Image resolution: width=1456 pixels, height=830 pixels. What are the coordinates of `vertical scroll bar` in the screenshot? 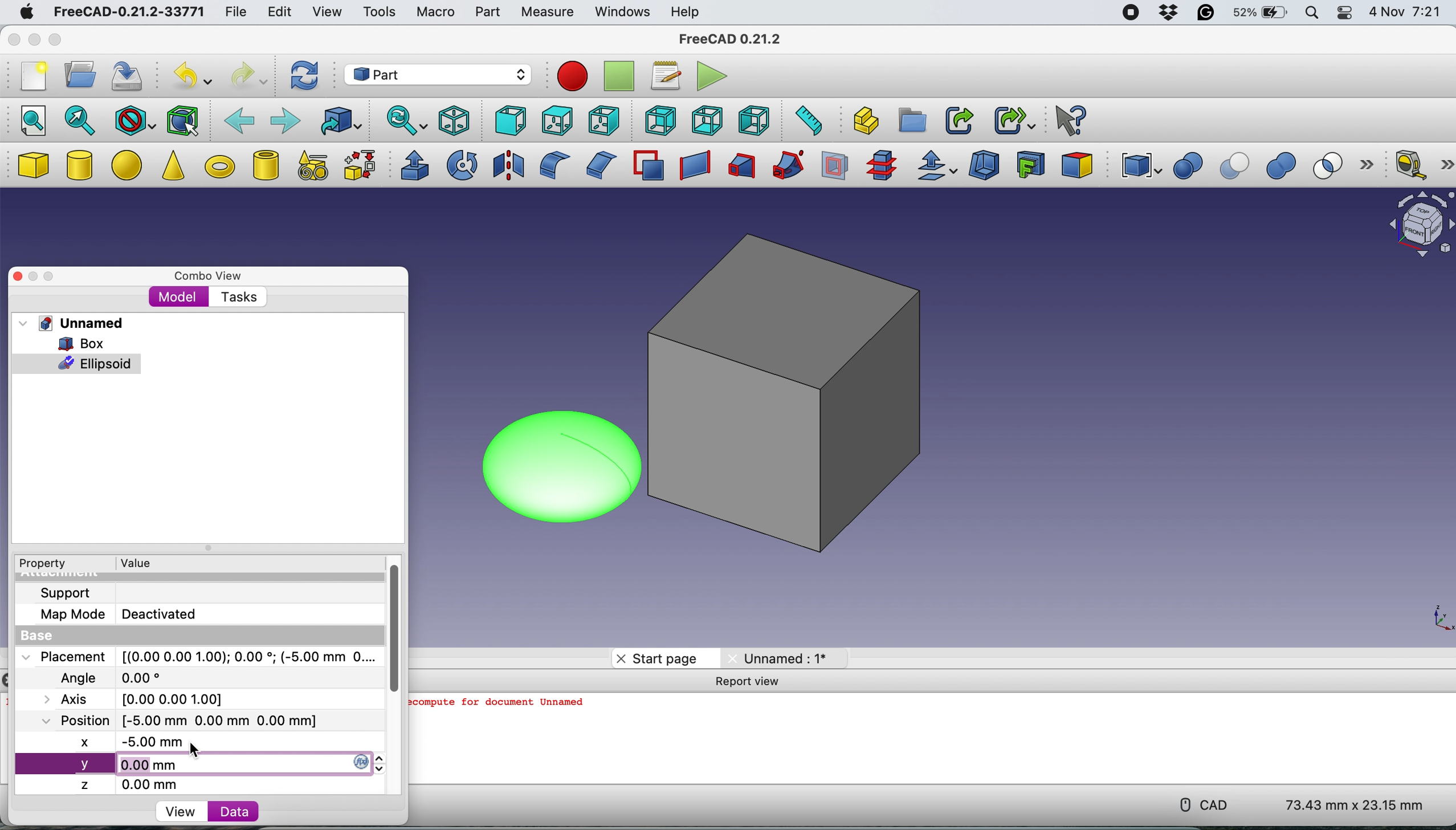 It's located at (390, 625).